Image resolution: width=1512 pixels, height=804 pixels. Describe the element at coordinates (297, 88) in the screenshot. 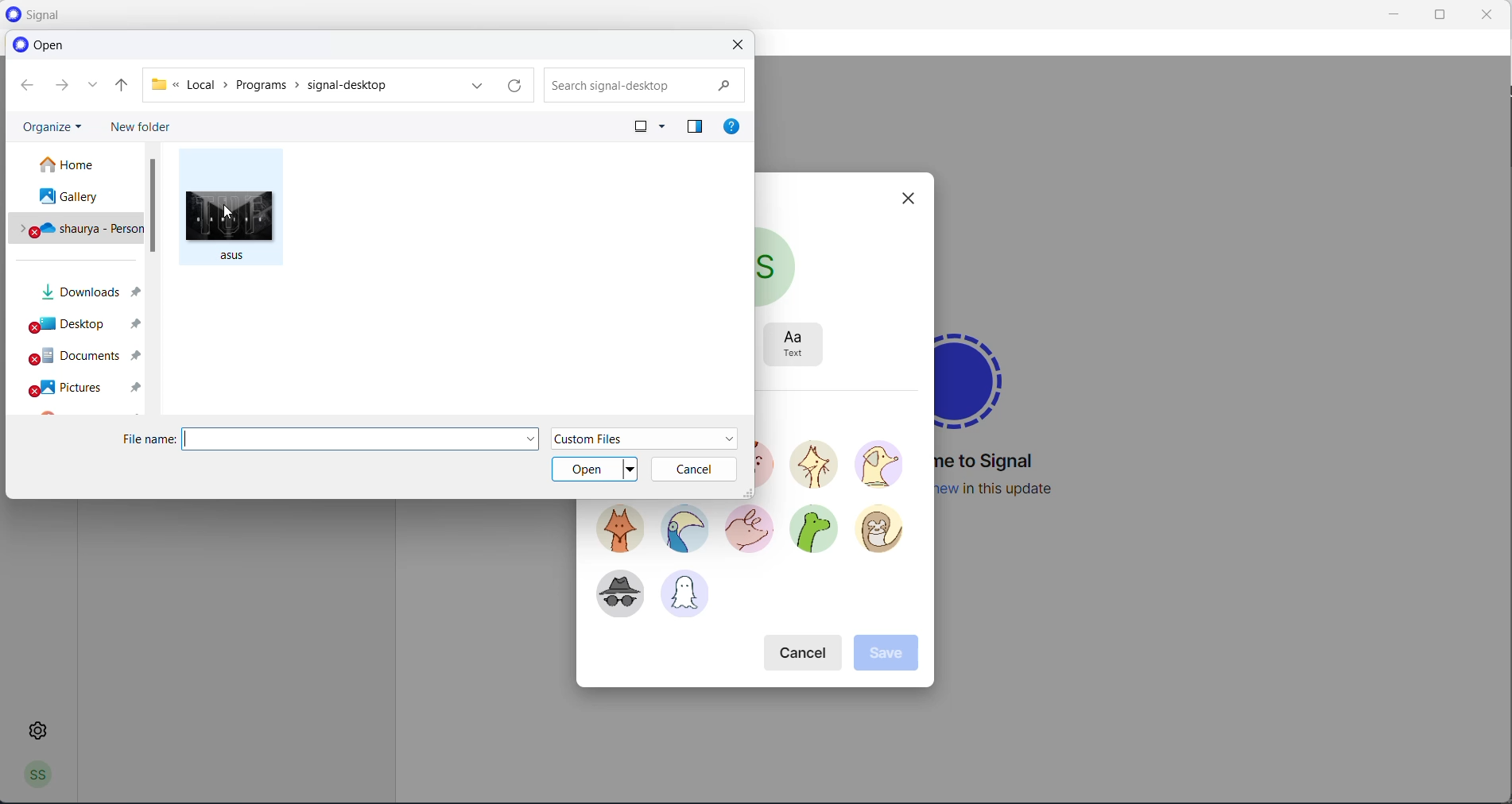

I see `path` at that location.